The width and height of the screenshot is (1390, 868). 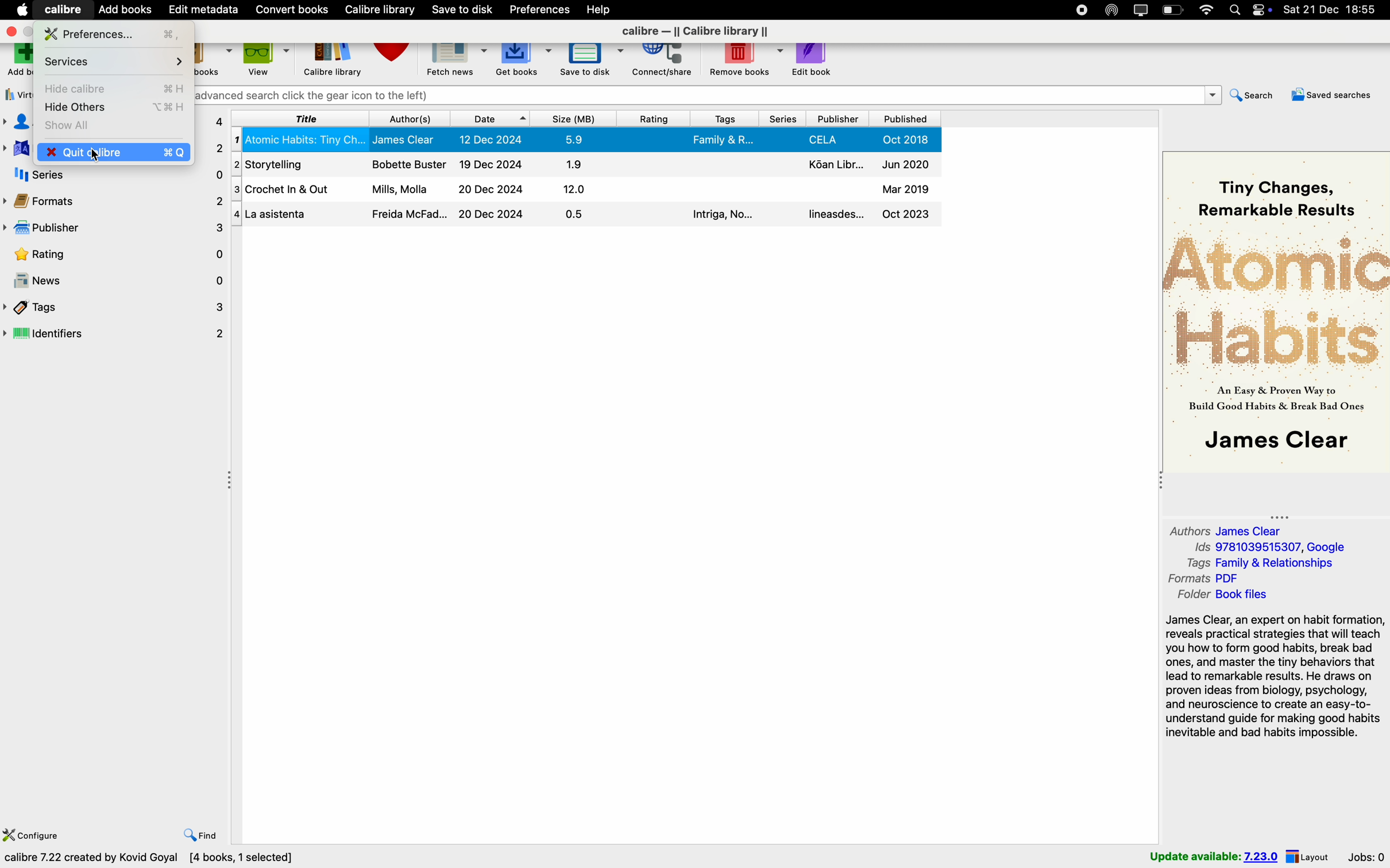 What do you see at coordinates (592, 61) in the screenshot?
I see `save to disk` at bounding box center [592, 61].